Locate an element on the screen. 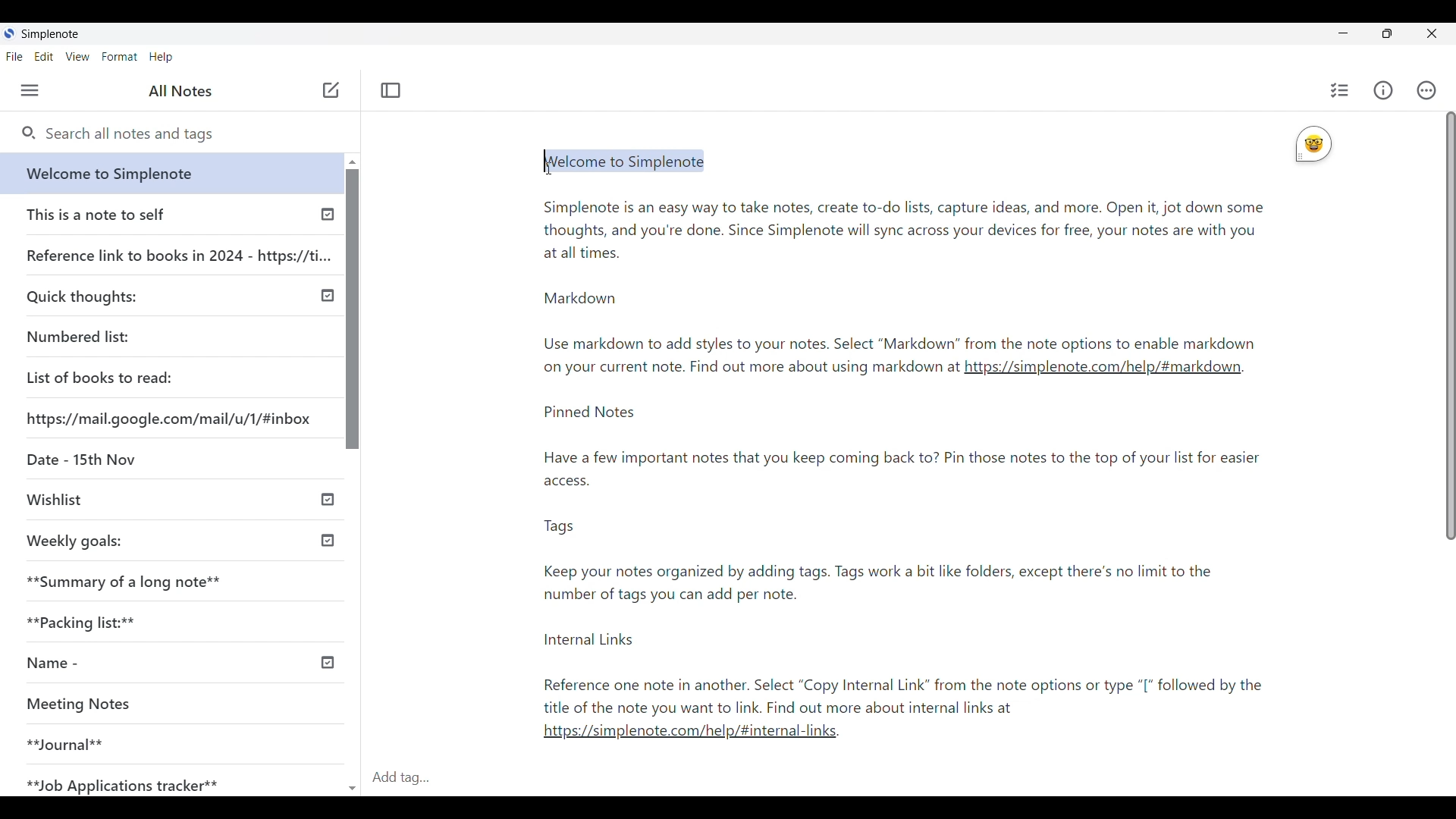 This screenshot has width=1456, height=819. Packing list is located at coordinates (79, 622).